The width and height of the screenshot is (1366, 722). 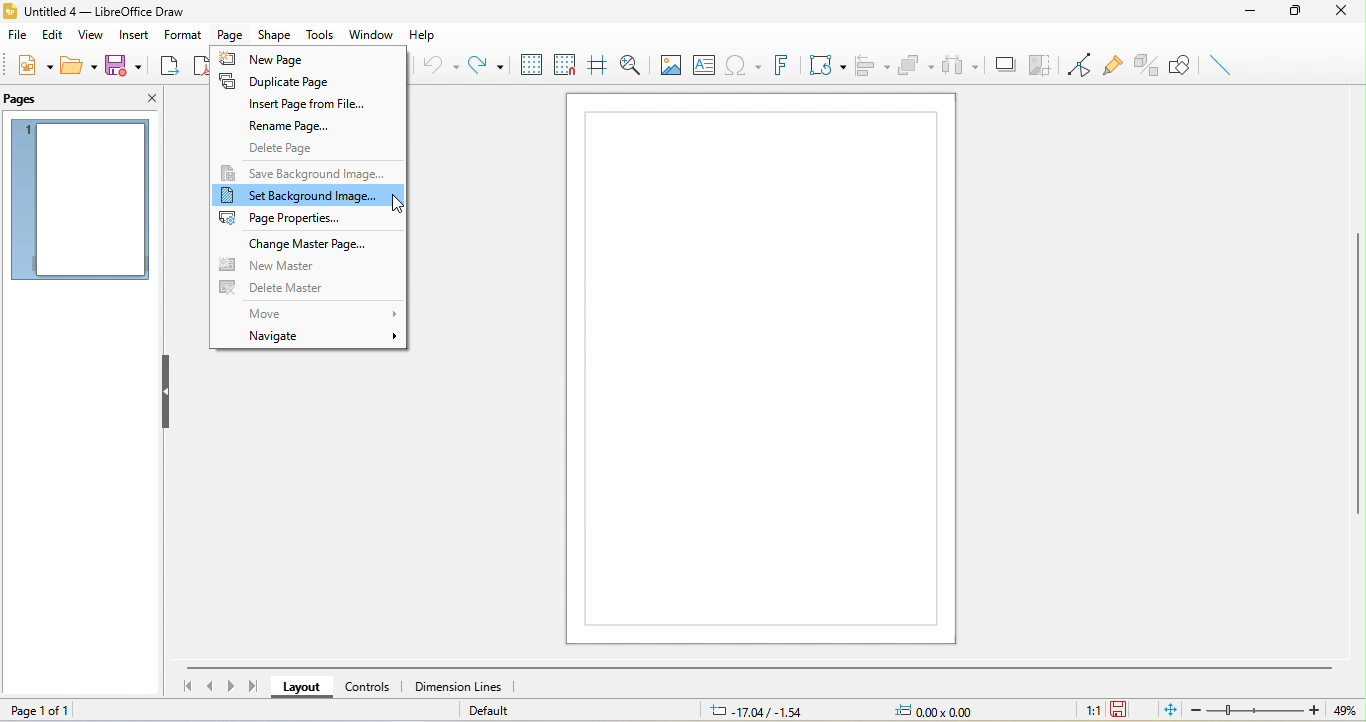 I want to click on change master page, so click(x=310, y=244).